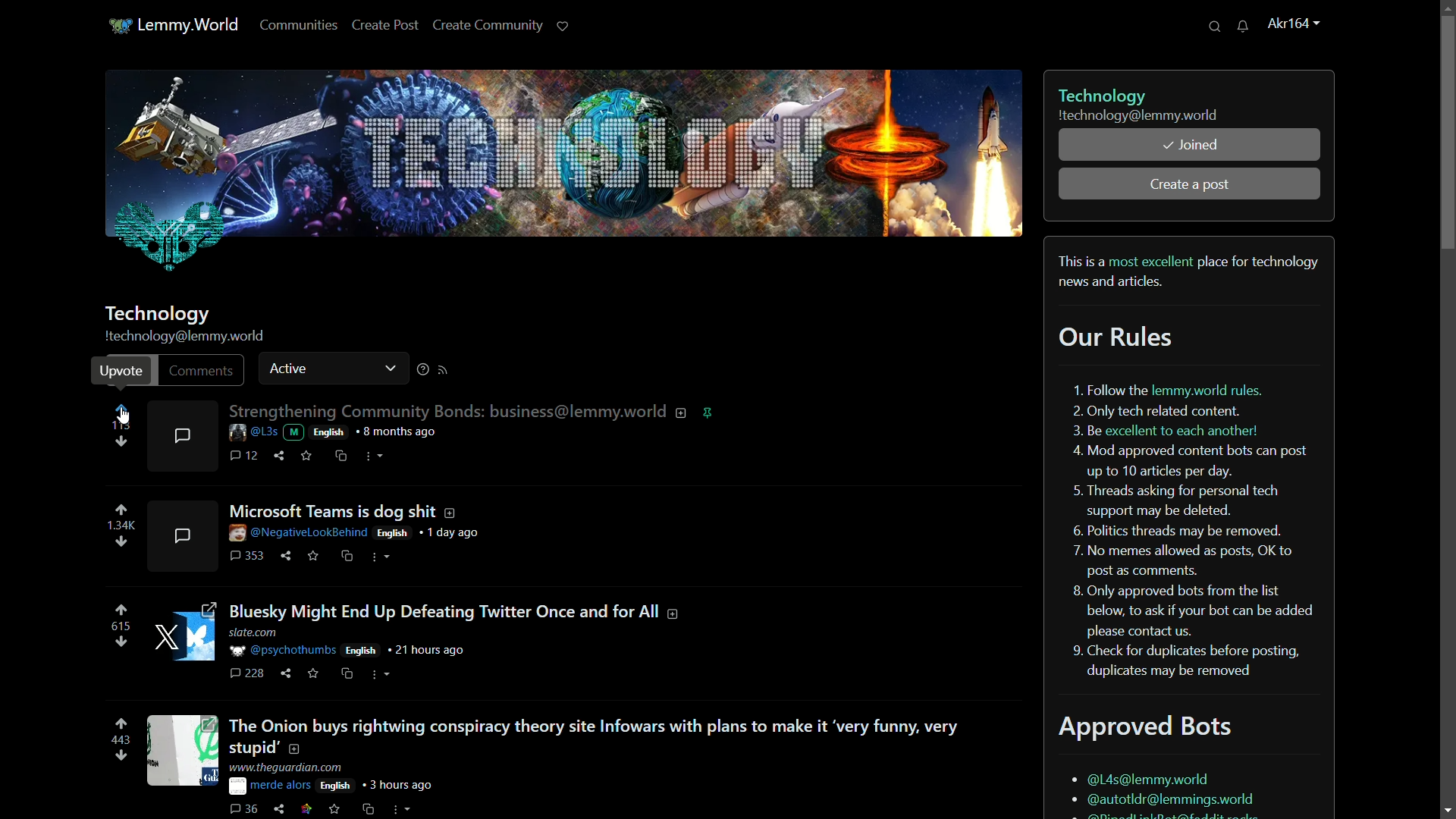 This screenshot has height=819, width=1456. I want to click on our rules, so click(1119, 337).